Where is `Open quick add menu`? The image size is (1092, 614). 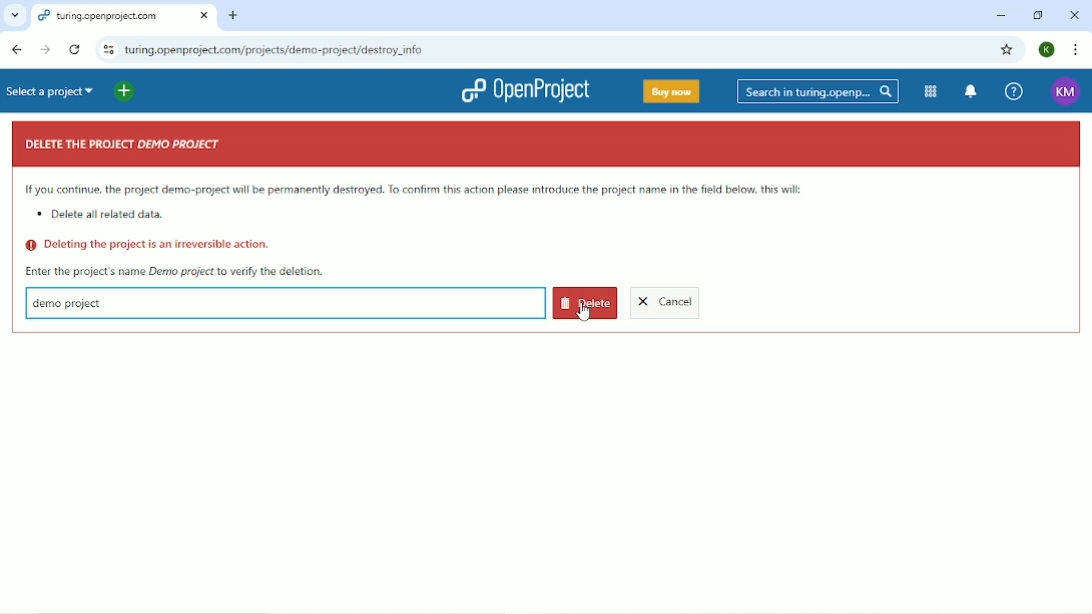
Open quick add menu is located at coordinates (161, 90).